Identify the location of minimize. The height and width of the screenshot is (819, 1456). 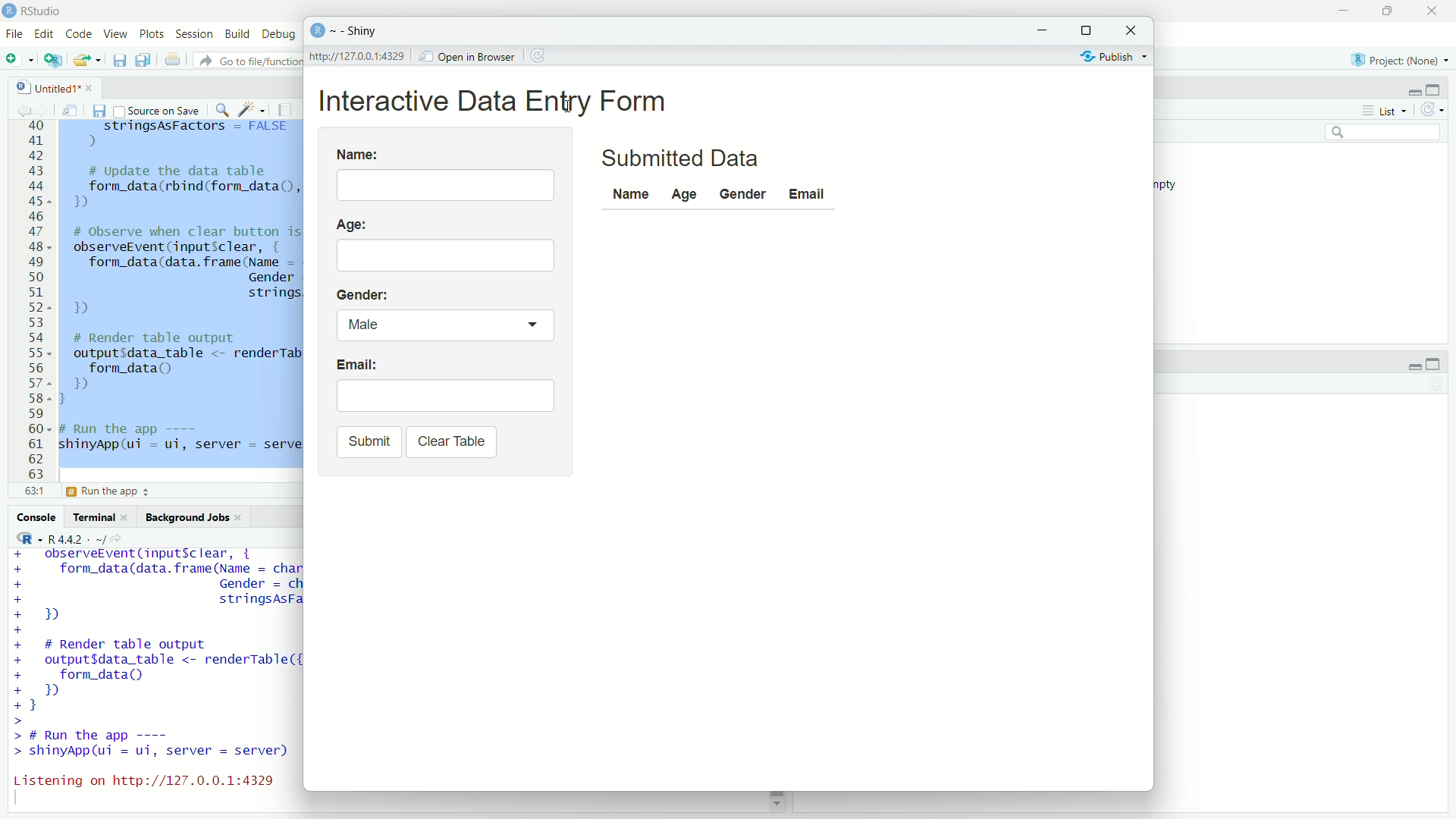
(1346, 10).